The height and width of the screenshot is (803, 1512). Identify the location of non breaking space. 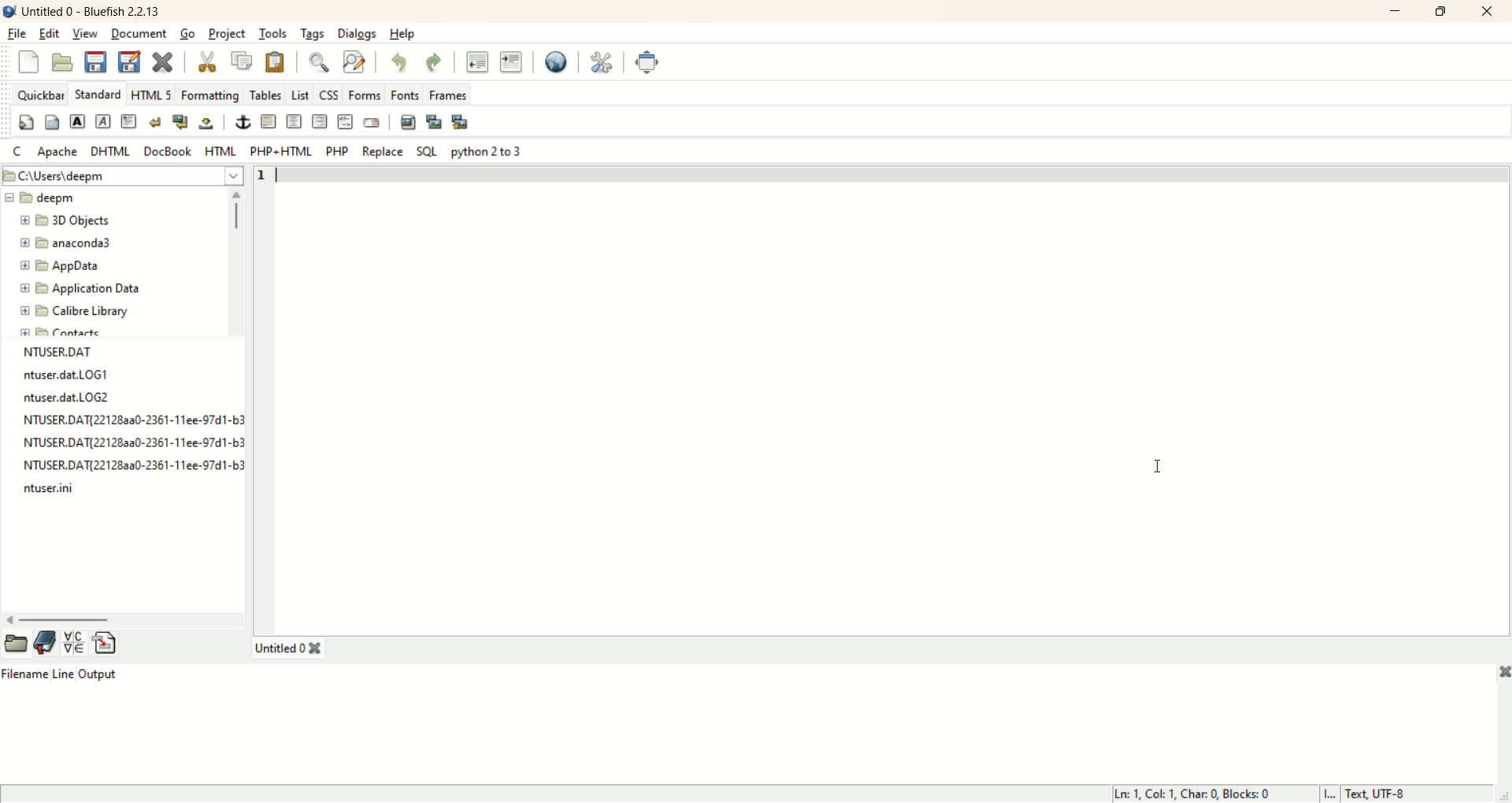
(207, 124).